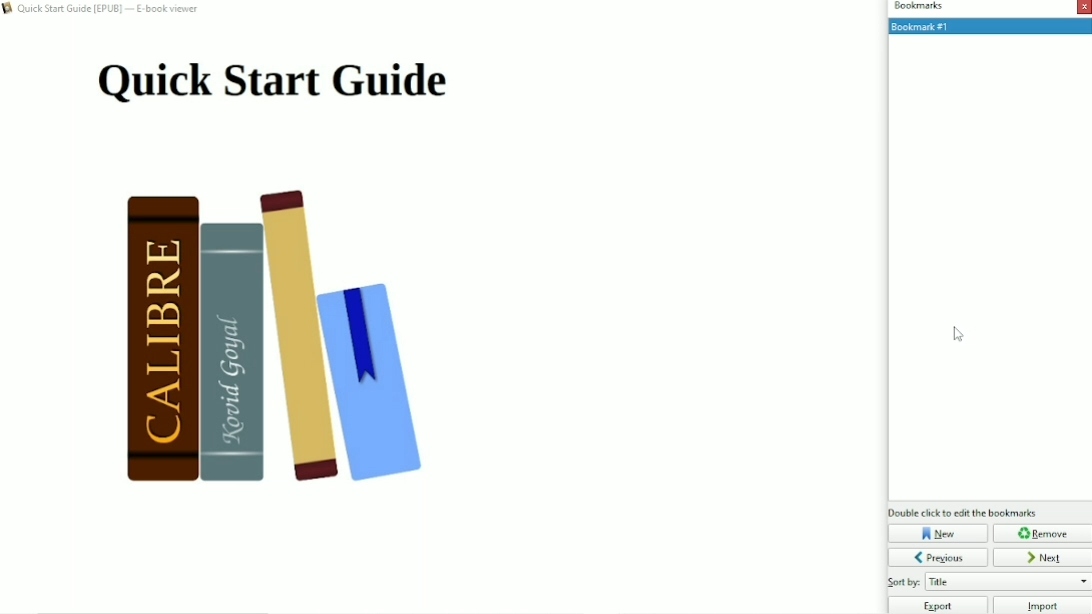  What do you see at coordinates (937, 605) in the screenshot?
I see `Export` at bounding box center [937, 605].